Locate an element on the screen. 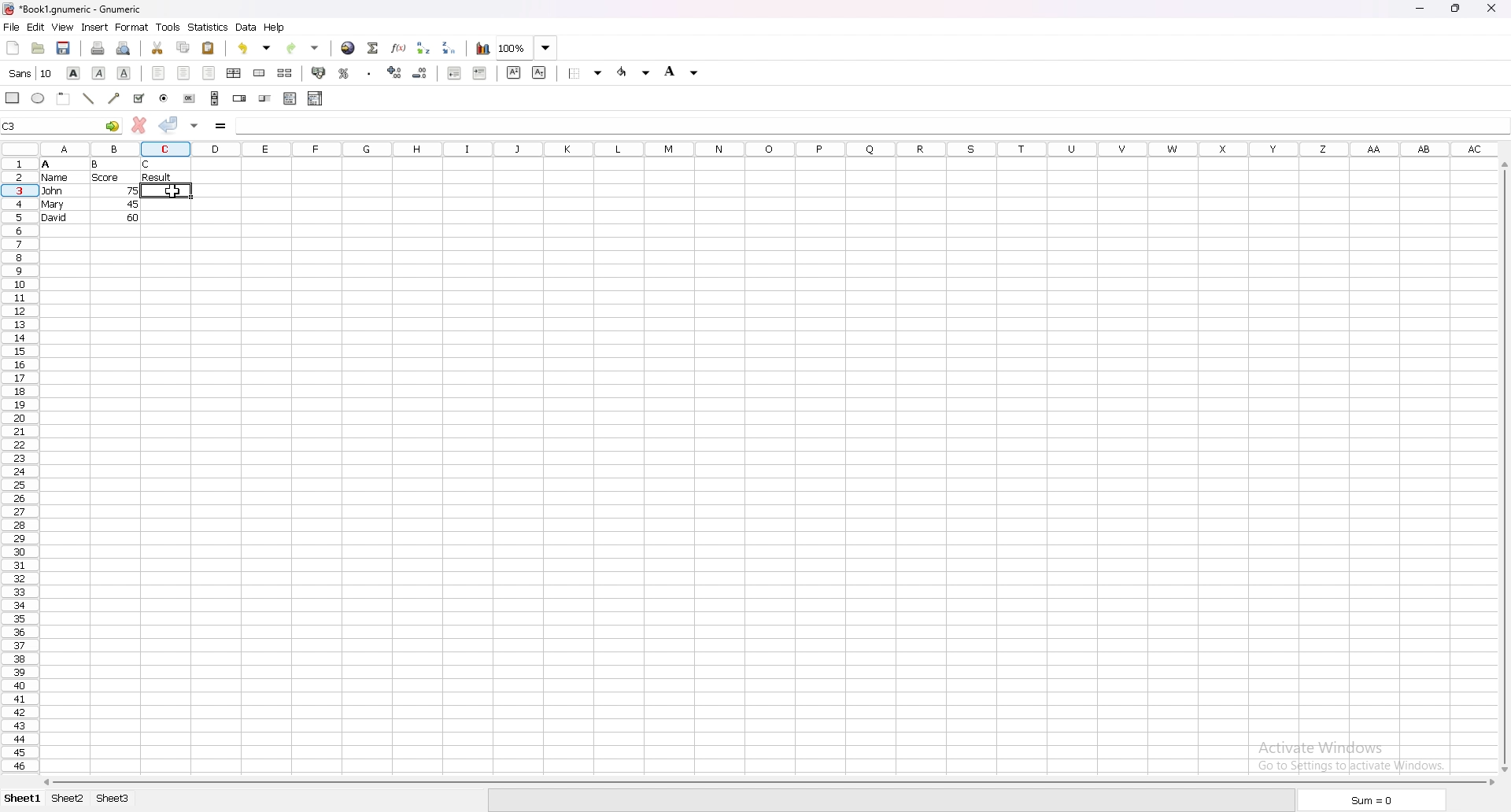 The image size is (1511, 812). checkbox is located at coordinates (139, 98).